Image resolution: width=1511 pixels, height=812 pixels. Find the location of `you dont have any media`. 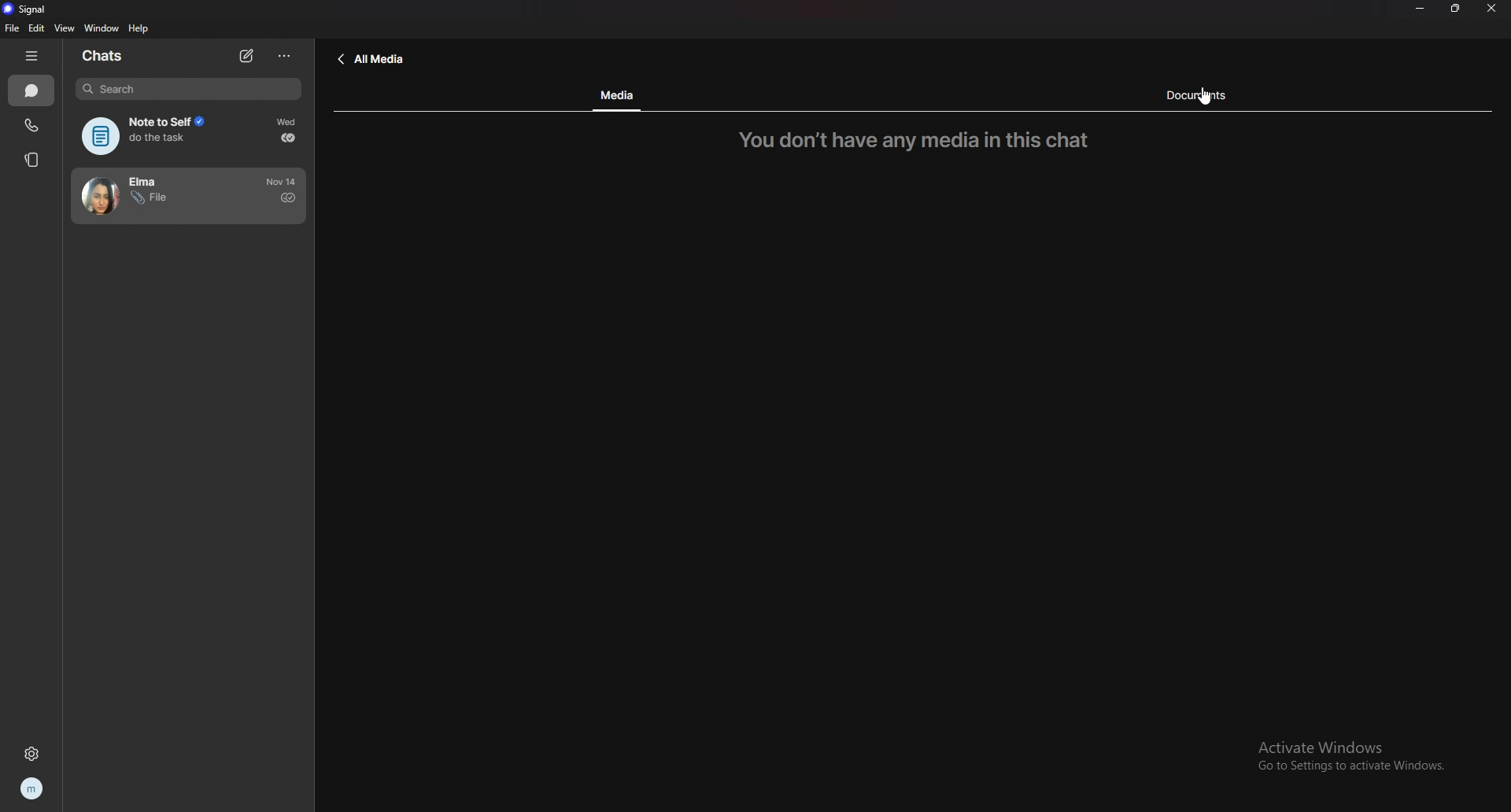

you dont have any media is located at coordinates (922, 140).